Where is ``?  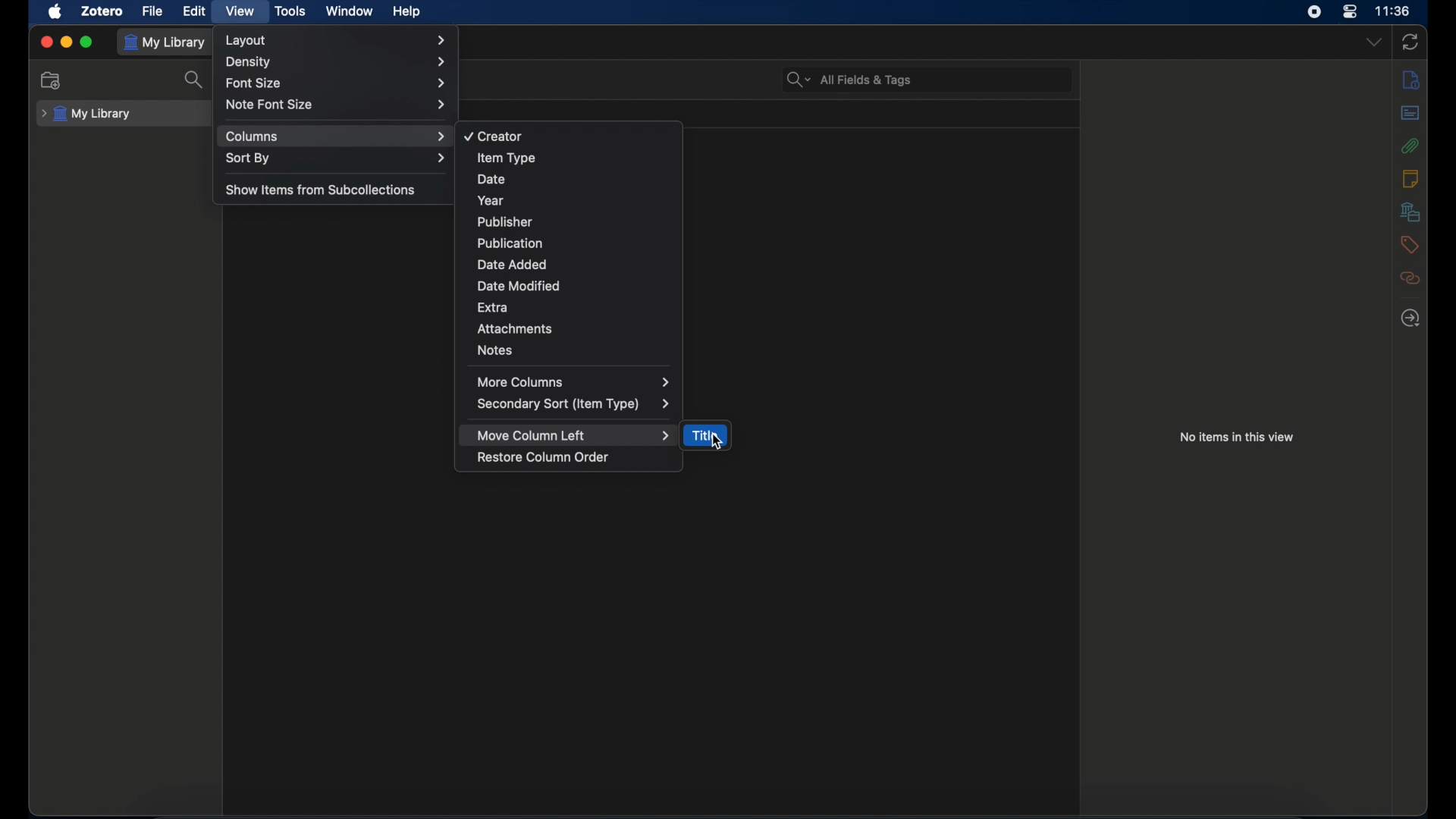  is located at coordinates (337, 63).